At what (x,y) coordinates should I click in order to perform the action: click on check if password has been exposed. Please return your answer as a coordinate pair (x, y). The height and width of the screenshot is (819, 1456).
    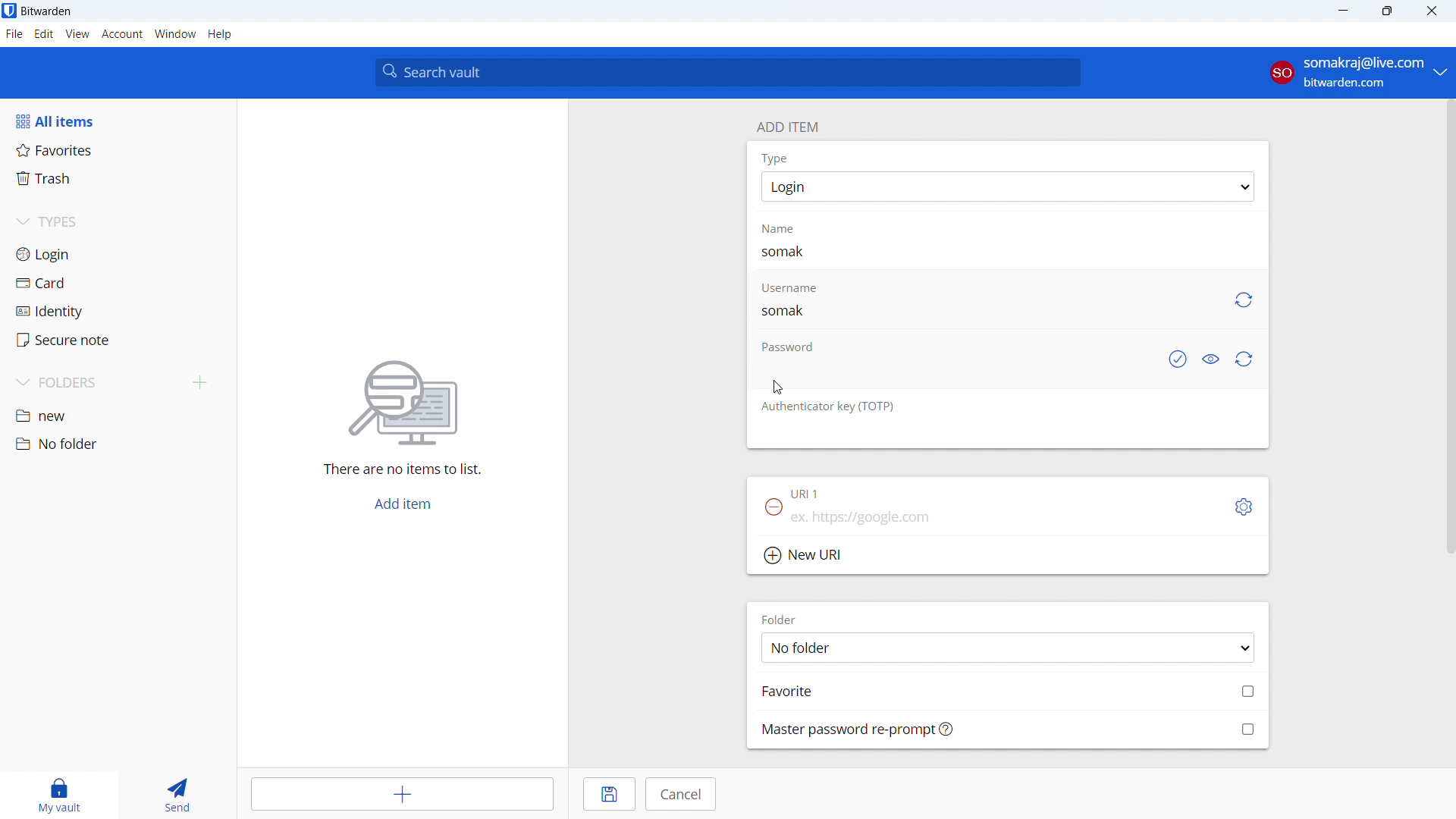
    Looking at the image, I should click on (1176, 360).